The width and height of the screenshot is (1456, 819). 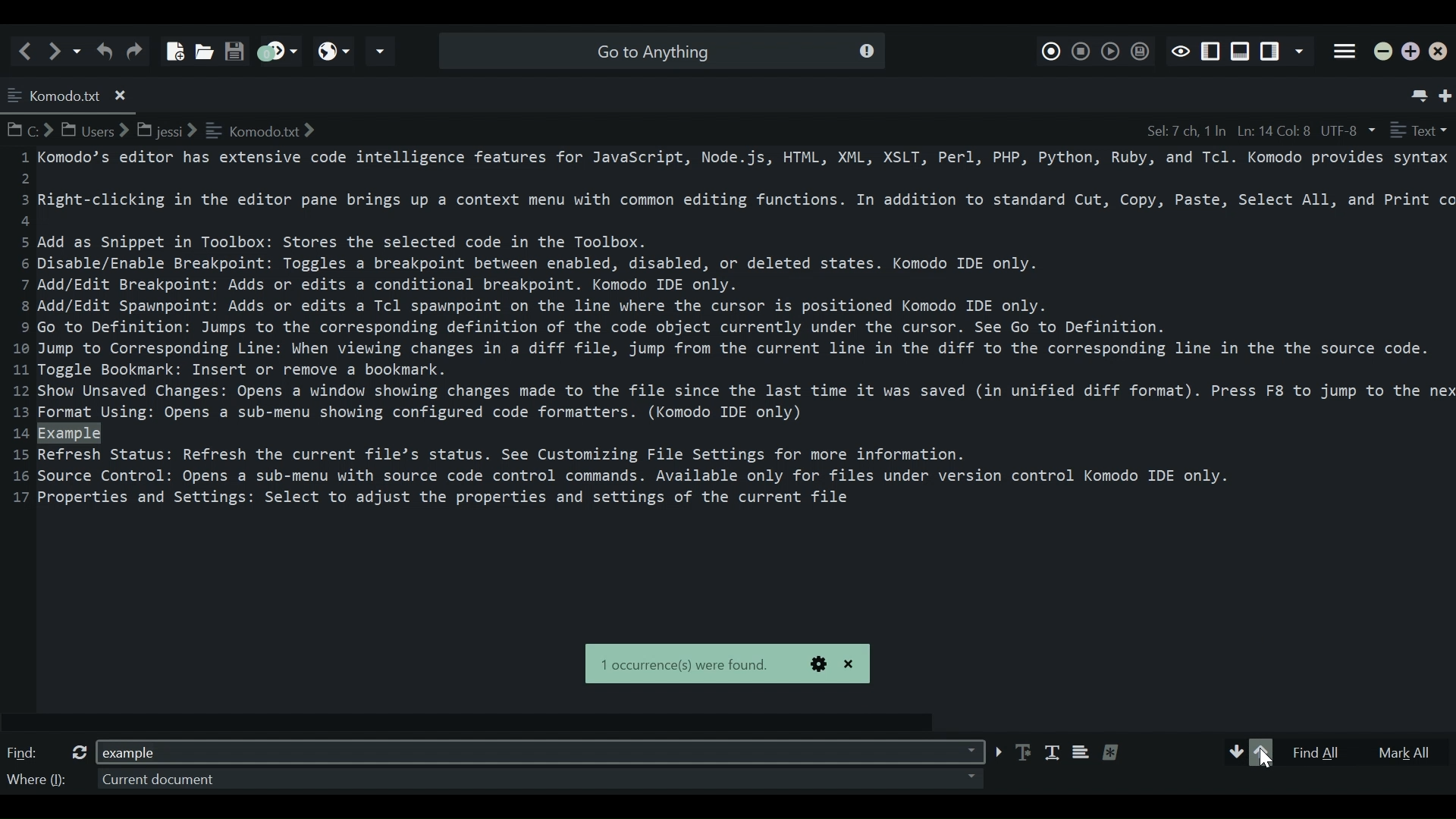 What do you see at coordinates (1239, 52) in the screenshot?
I see `Show/Hide Pane Below` at bounding box center [1239, 52].